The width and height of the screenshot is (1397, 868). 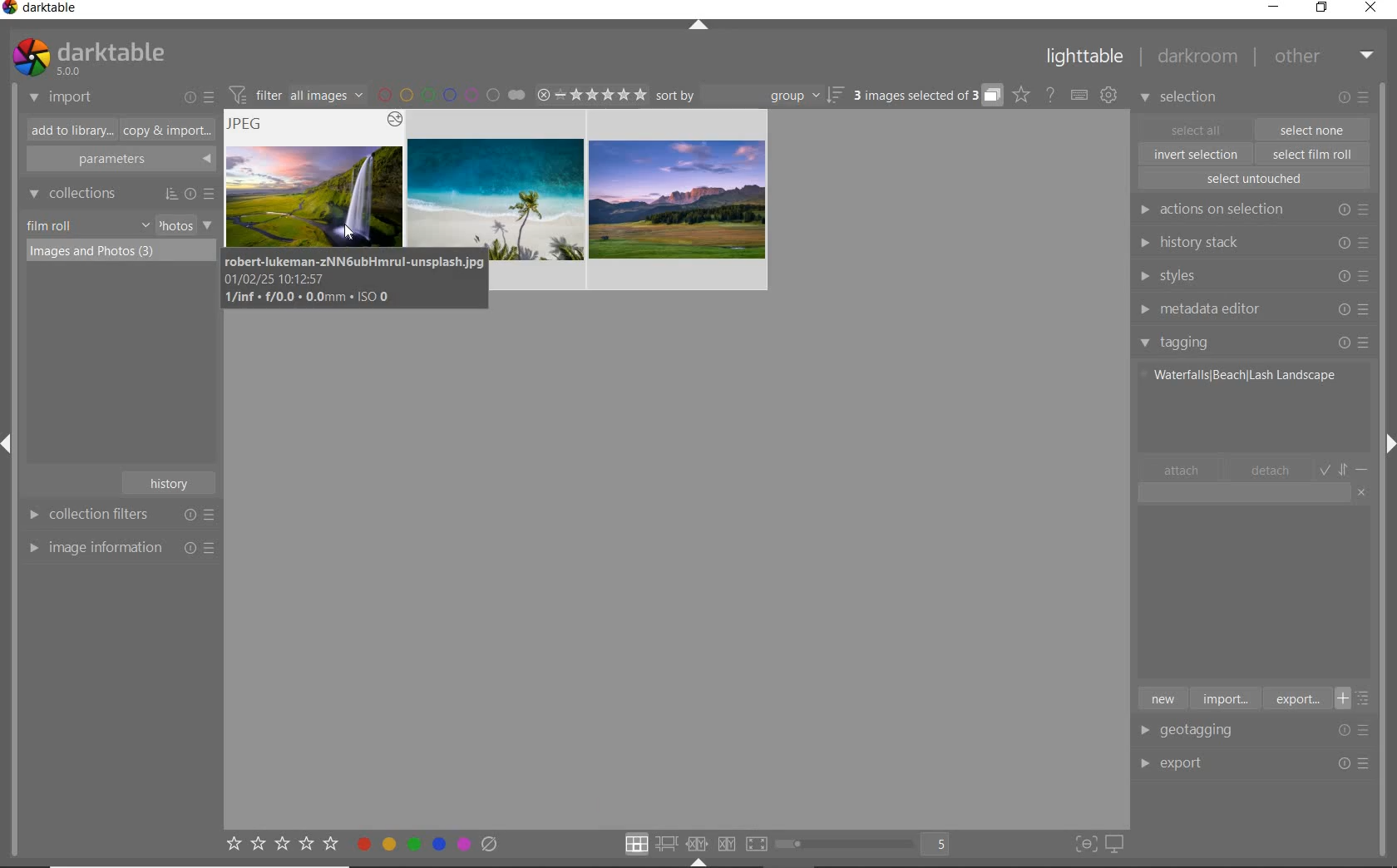 I want to click on photos, so click(x=175, y=225).